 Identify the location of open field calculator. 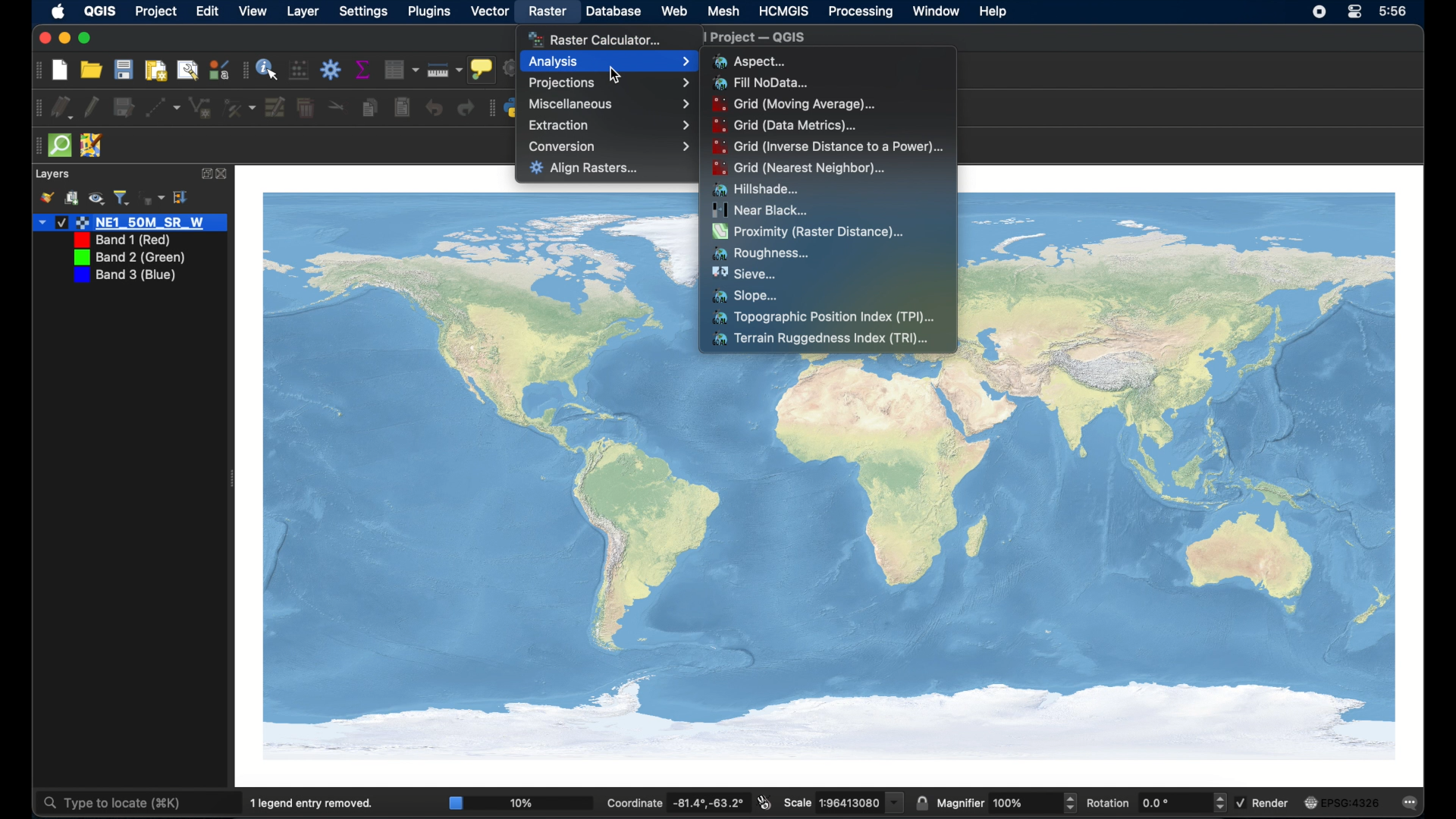
(300, 71).